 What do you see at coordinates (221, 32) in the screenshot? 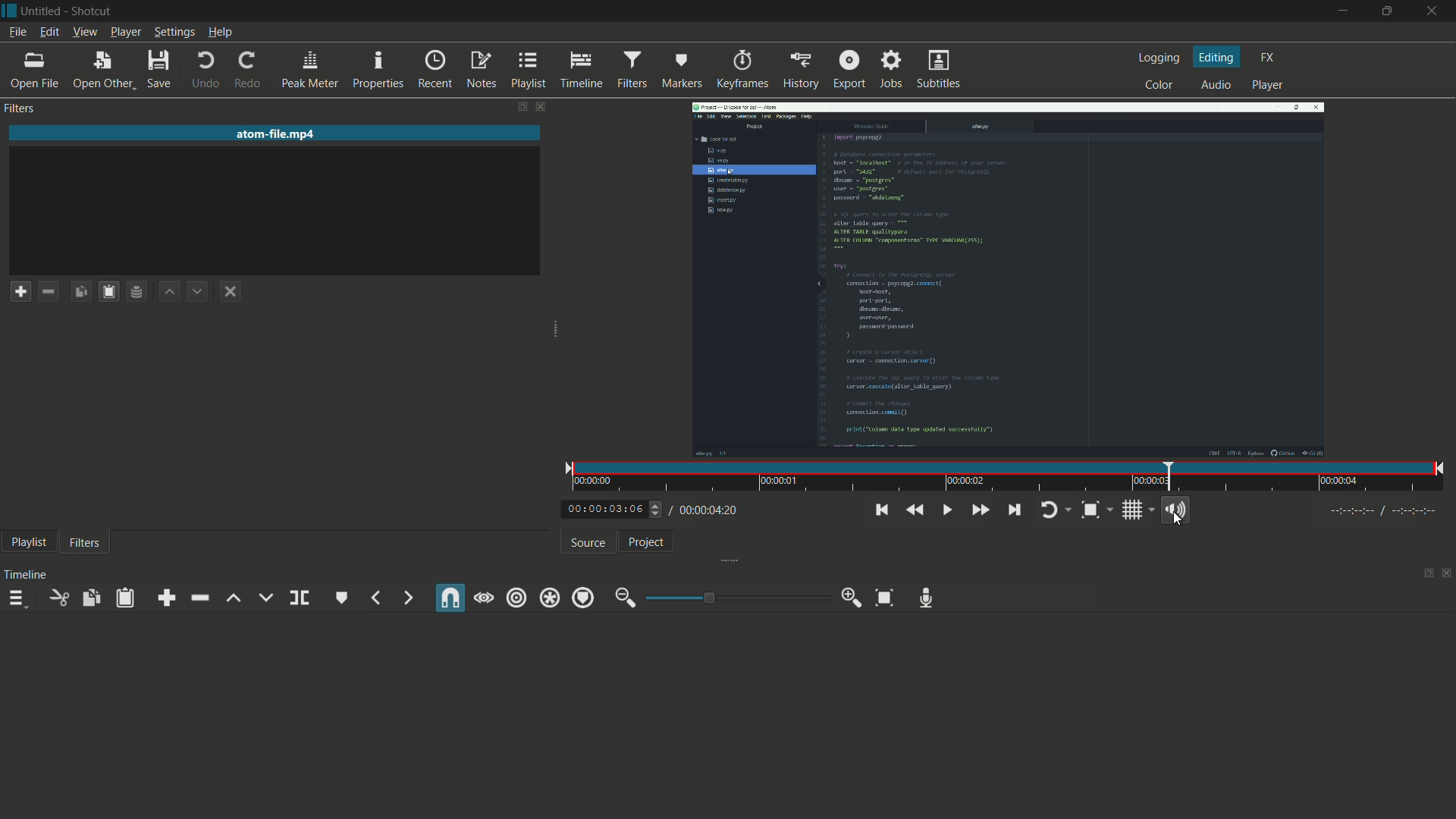
I see `help menu` at bounding box center [221, 32].